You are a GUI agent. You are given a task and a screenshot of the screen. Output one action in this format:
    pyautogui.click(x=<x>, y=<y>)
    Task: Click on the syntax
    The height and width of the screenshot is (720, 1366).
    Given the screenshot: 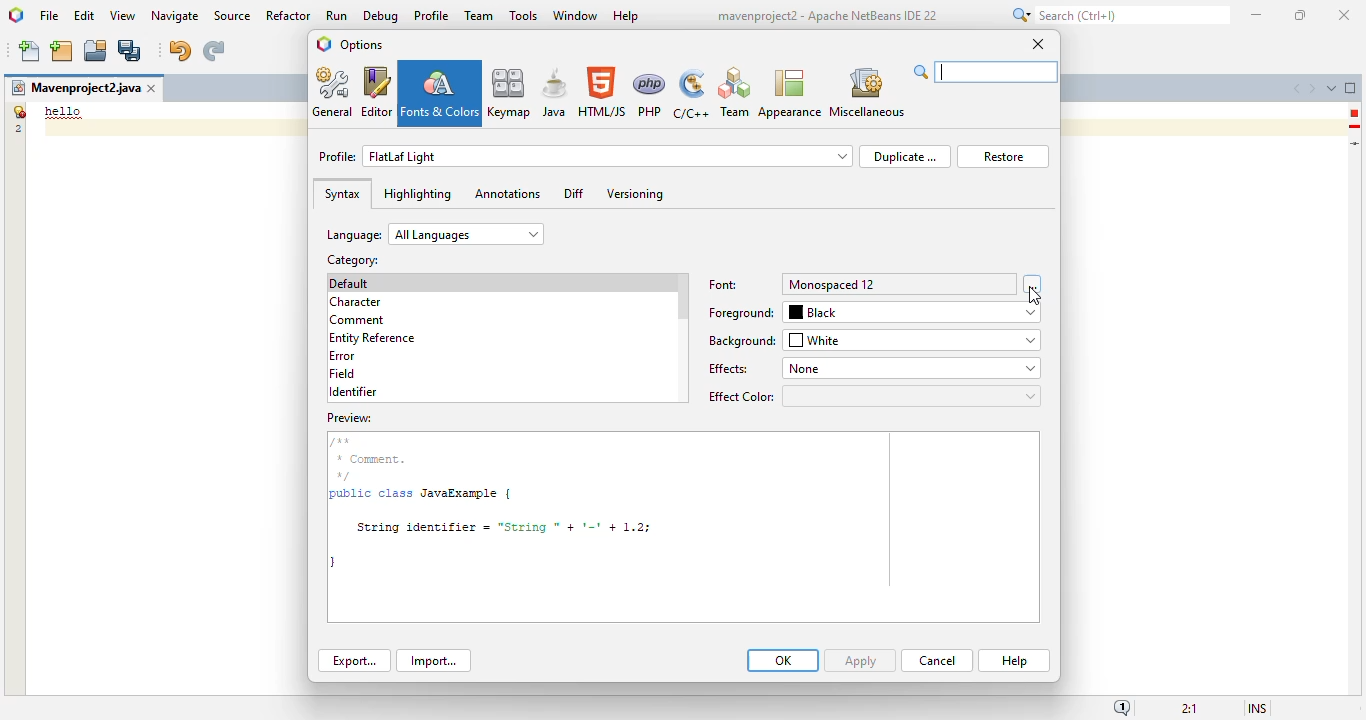 What is the action you would take?
    pyautogui.click(x=342, y=194)
    